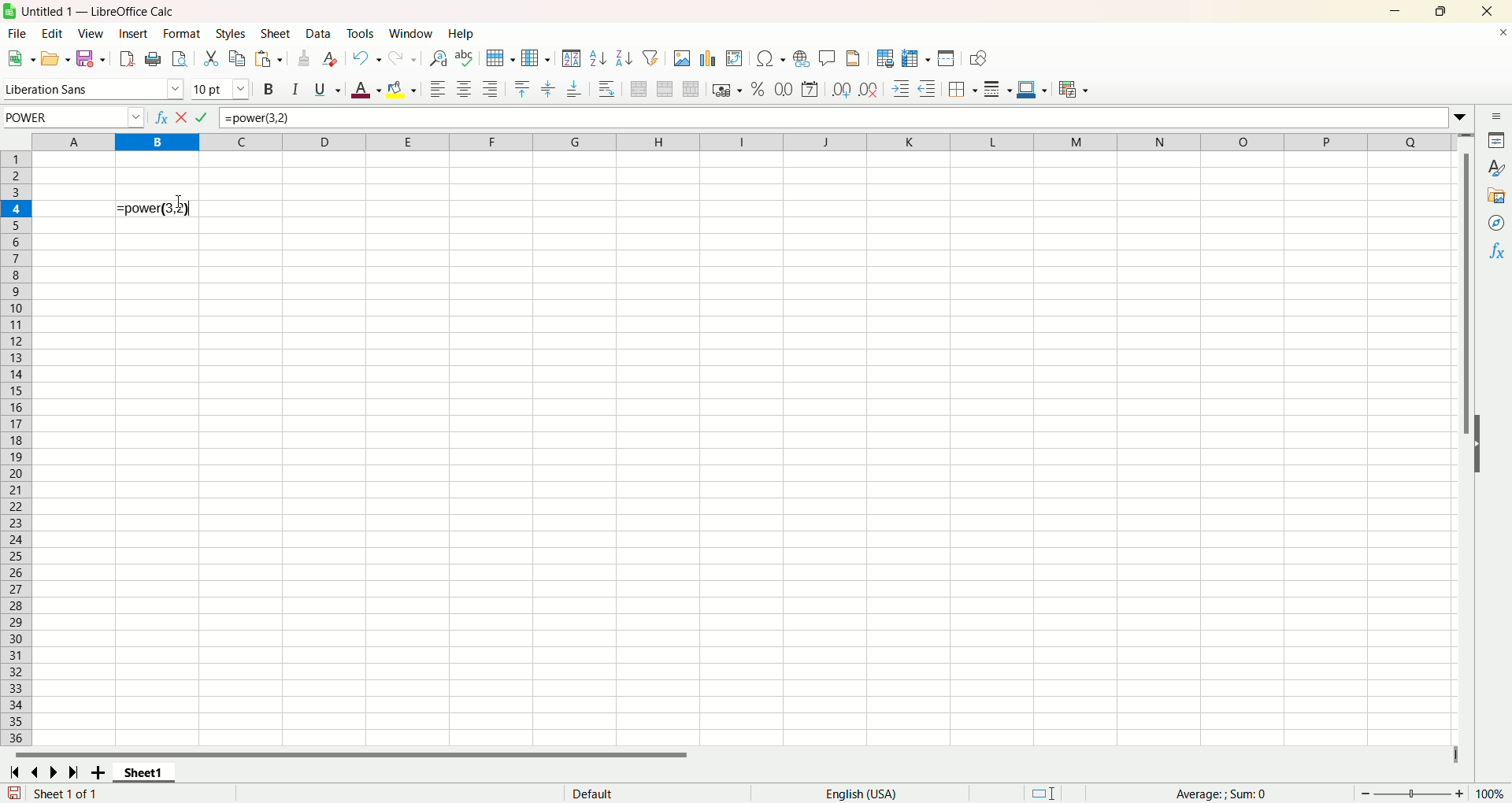  I want to click on text color, so click(362, 92).